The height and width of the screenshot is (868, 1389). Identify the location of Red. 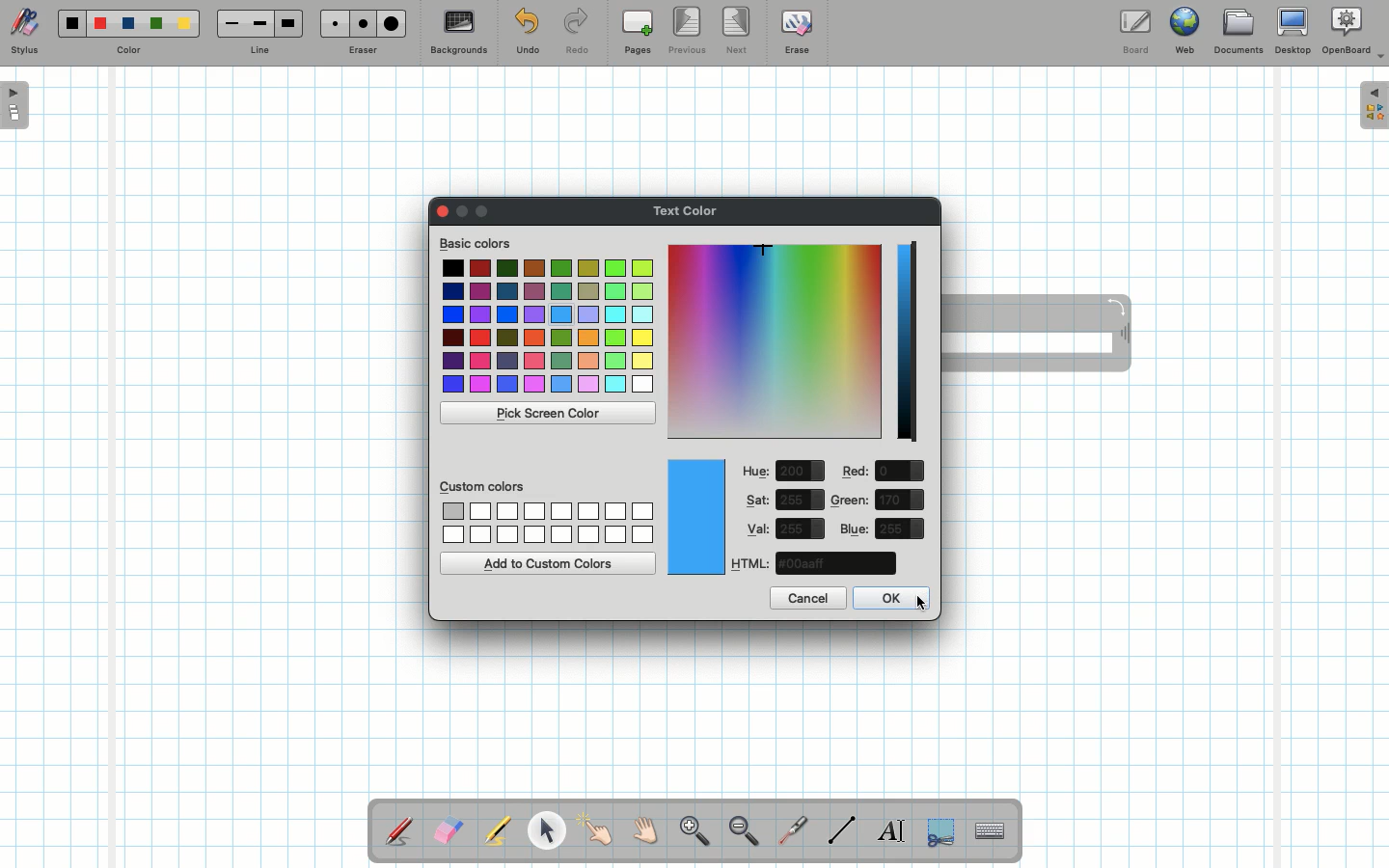
(101, 24).